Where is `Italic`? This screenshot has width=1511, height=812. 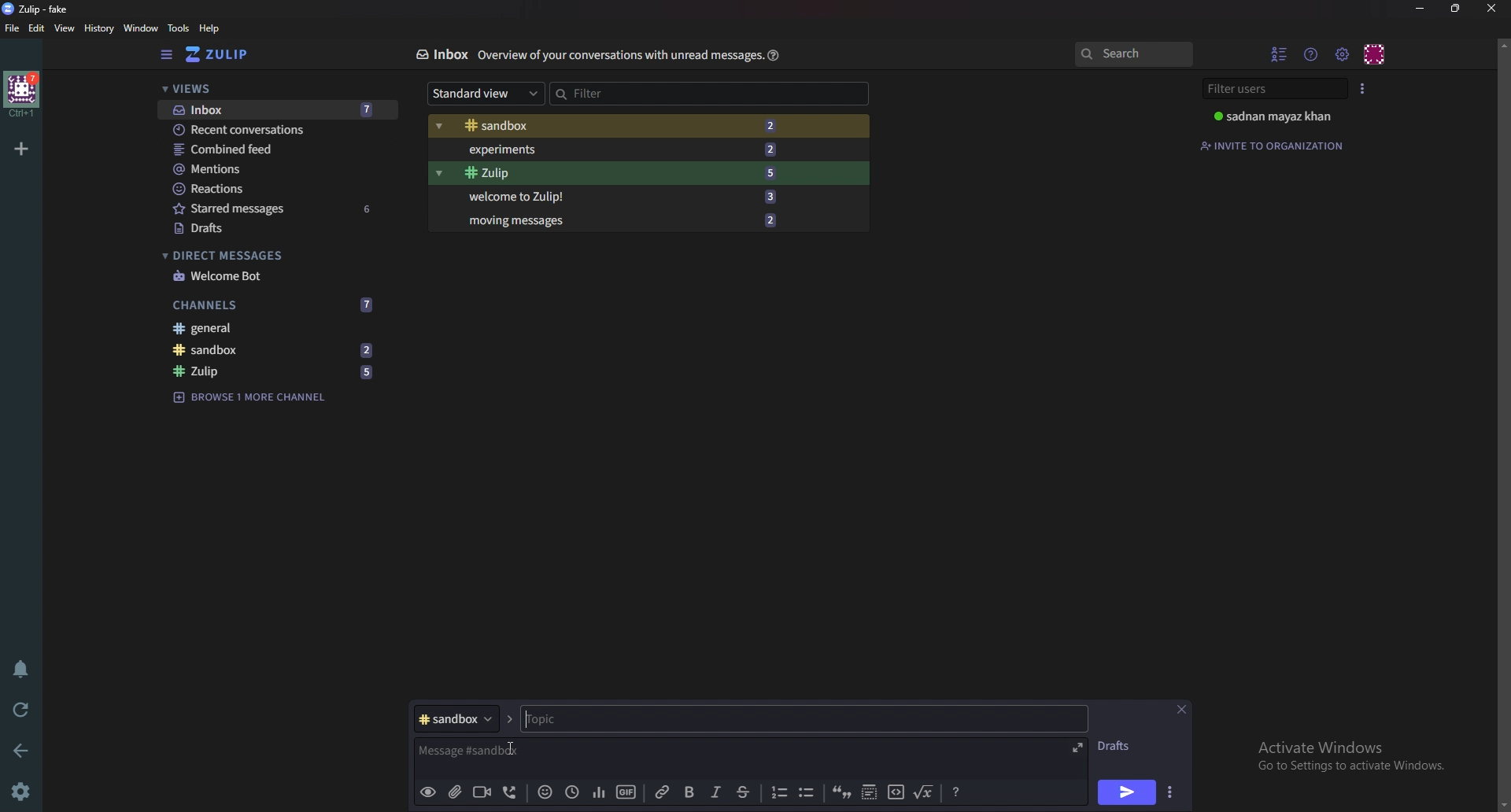
Italic is located at coordinates (716, 792).